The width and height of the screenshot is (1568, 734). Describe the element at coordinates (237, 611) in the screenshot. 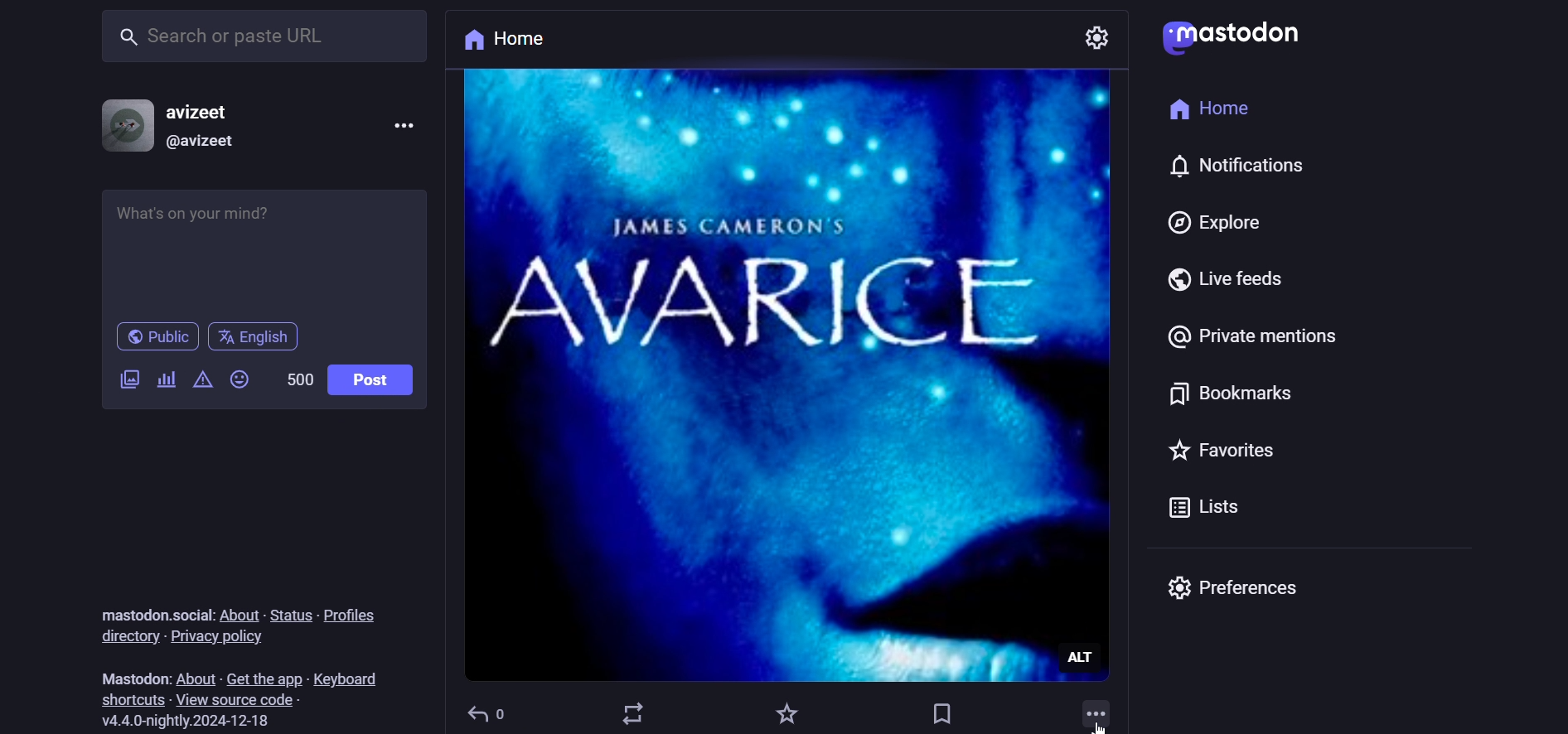

I see `about` at that location.